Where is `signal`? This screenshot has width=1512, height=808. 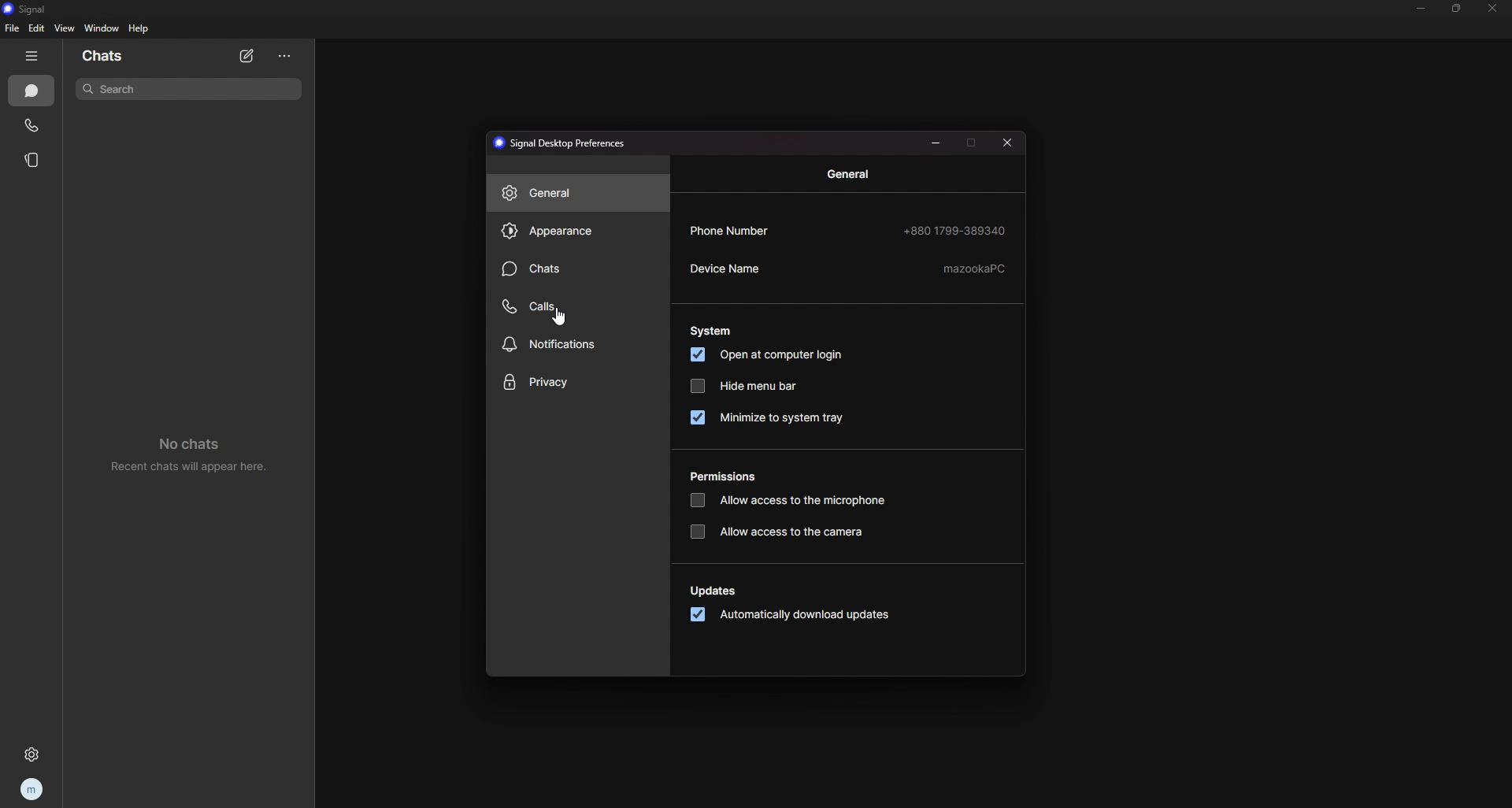
signal is located at coordinates (31, 9).